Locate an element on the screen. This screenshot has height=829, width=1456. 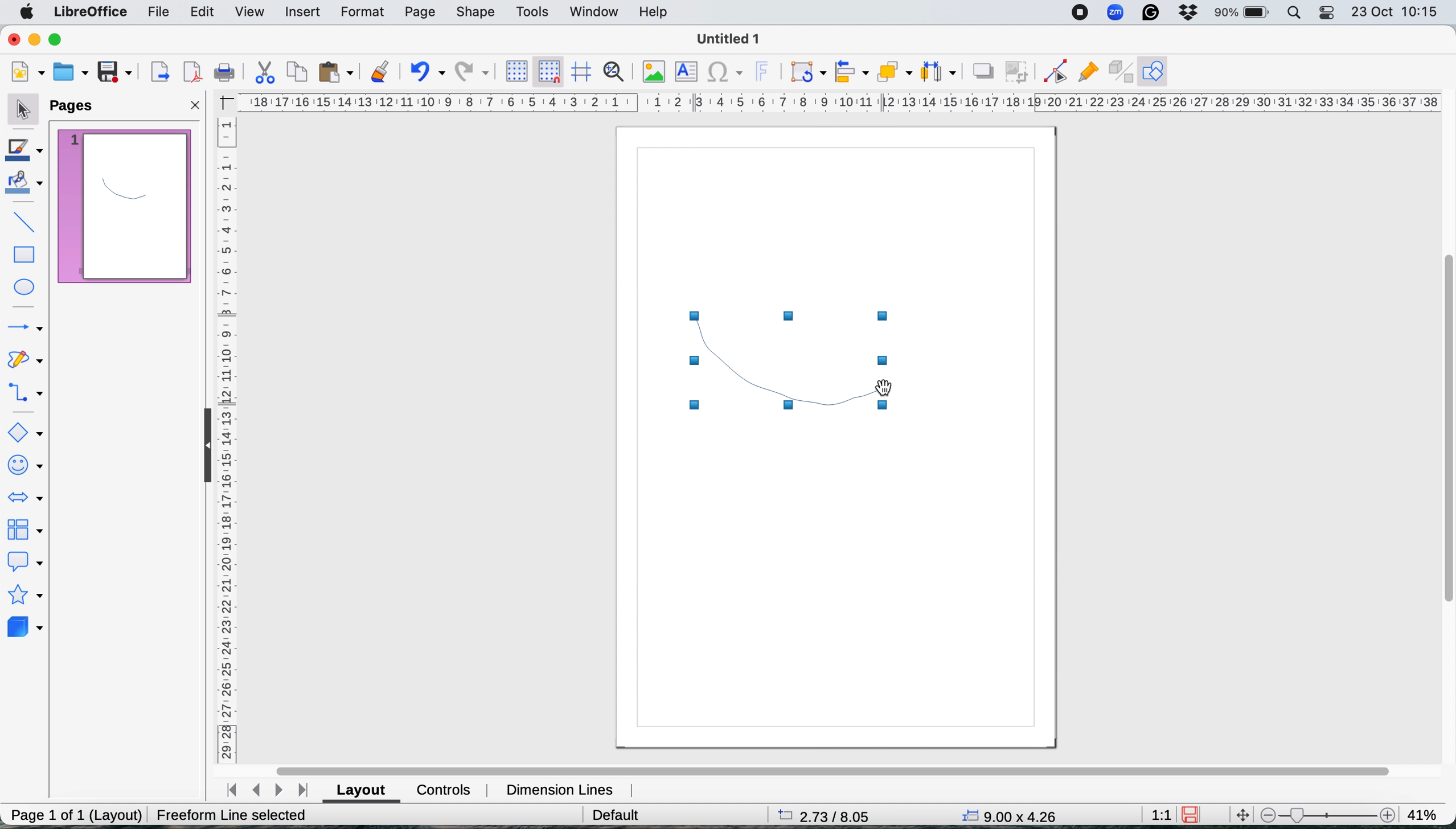
paste is located at coordinates (338, 73).